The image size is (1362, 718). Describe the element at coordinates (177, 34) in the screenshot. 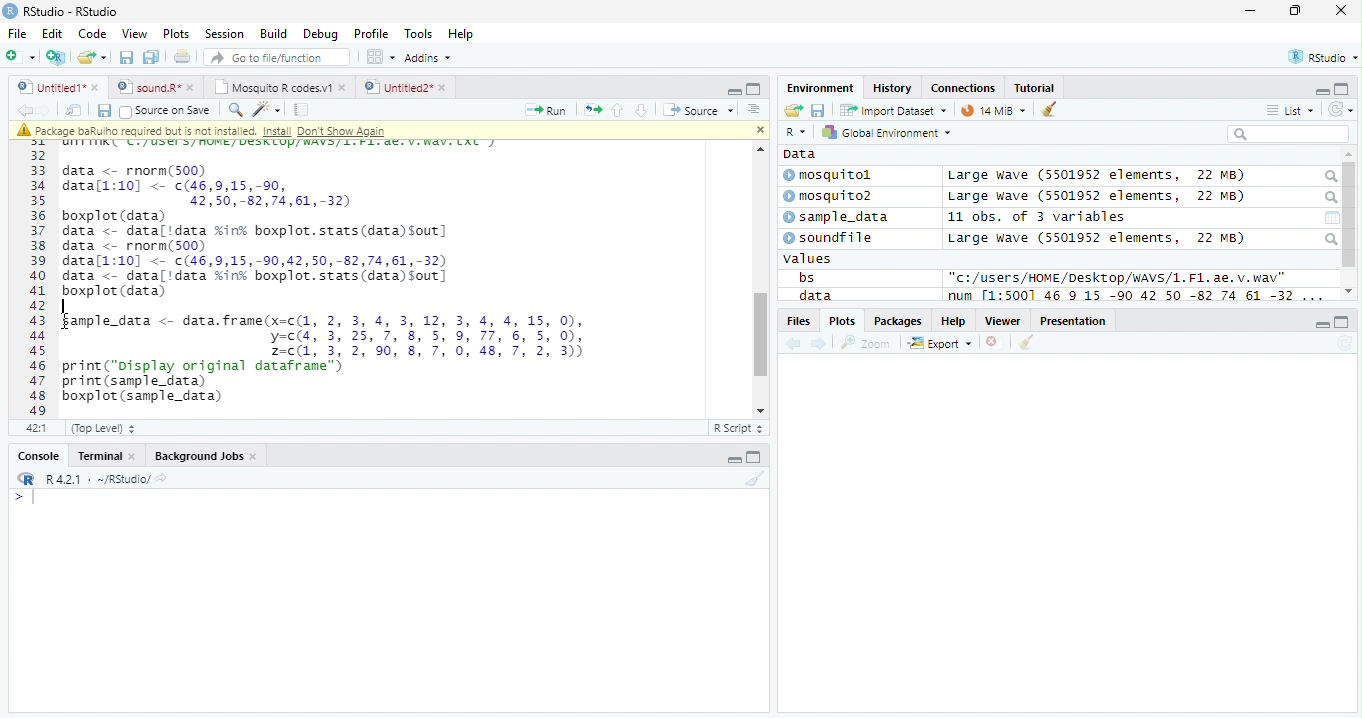

I see `Plots` at that location.